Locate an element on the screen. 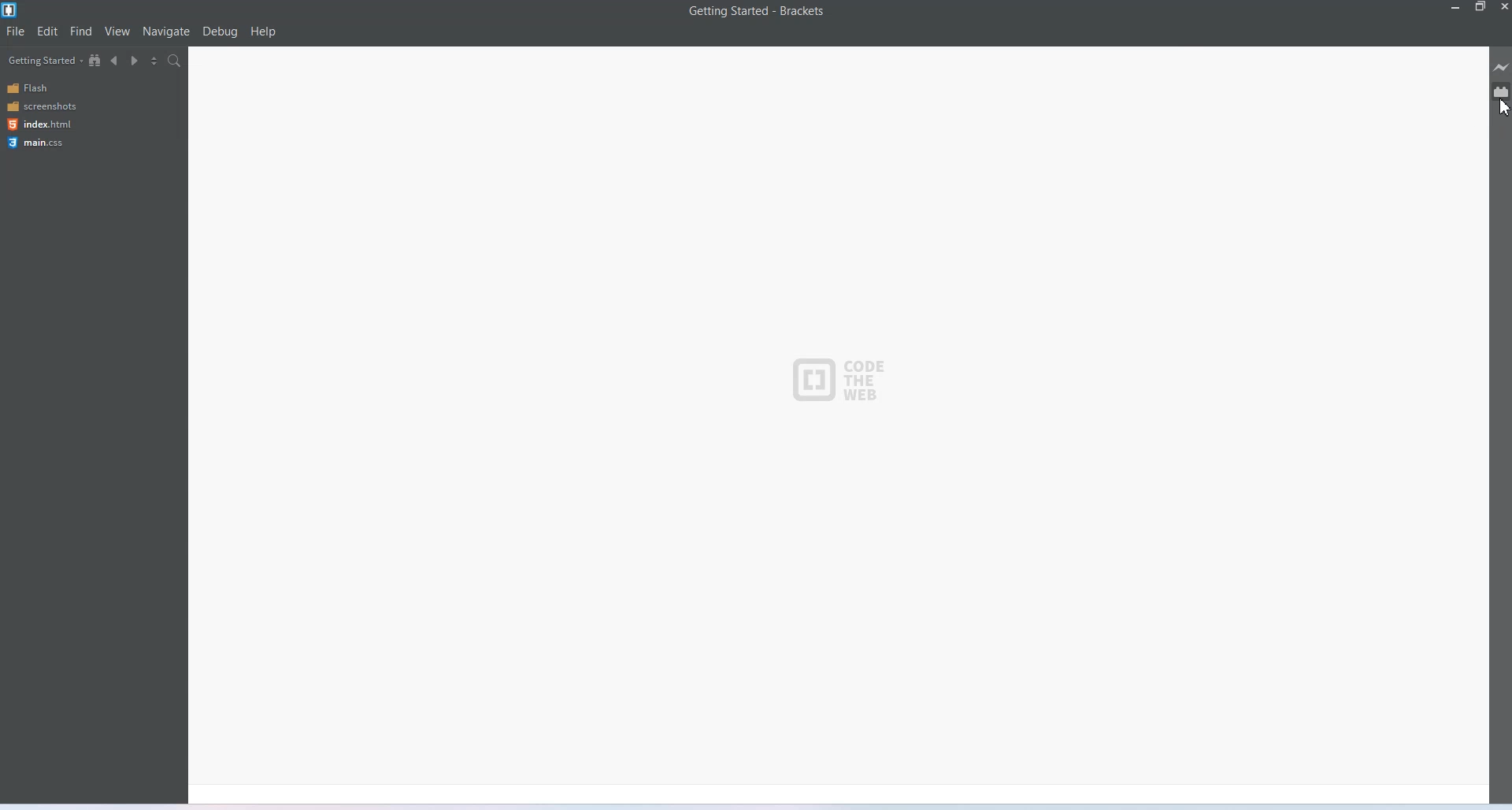 This screenshot has width=1512, height=810. Live preview is located at coordinates (1503, 66).